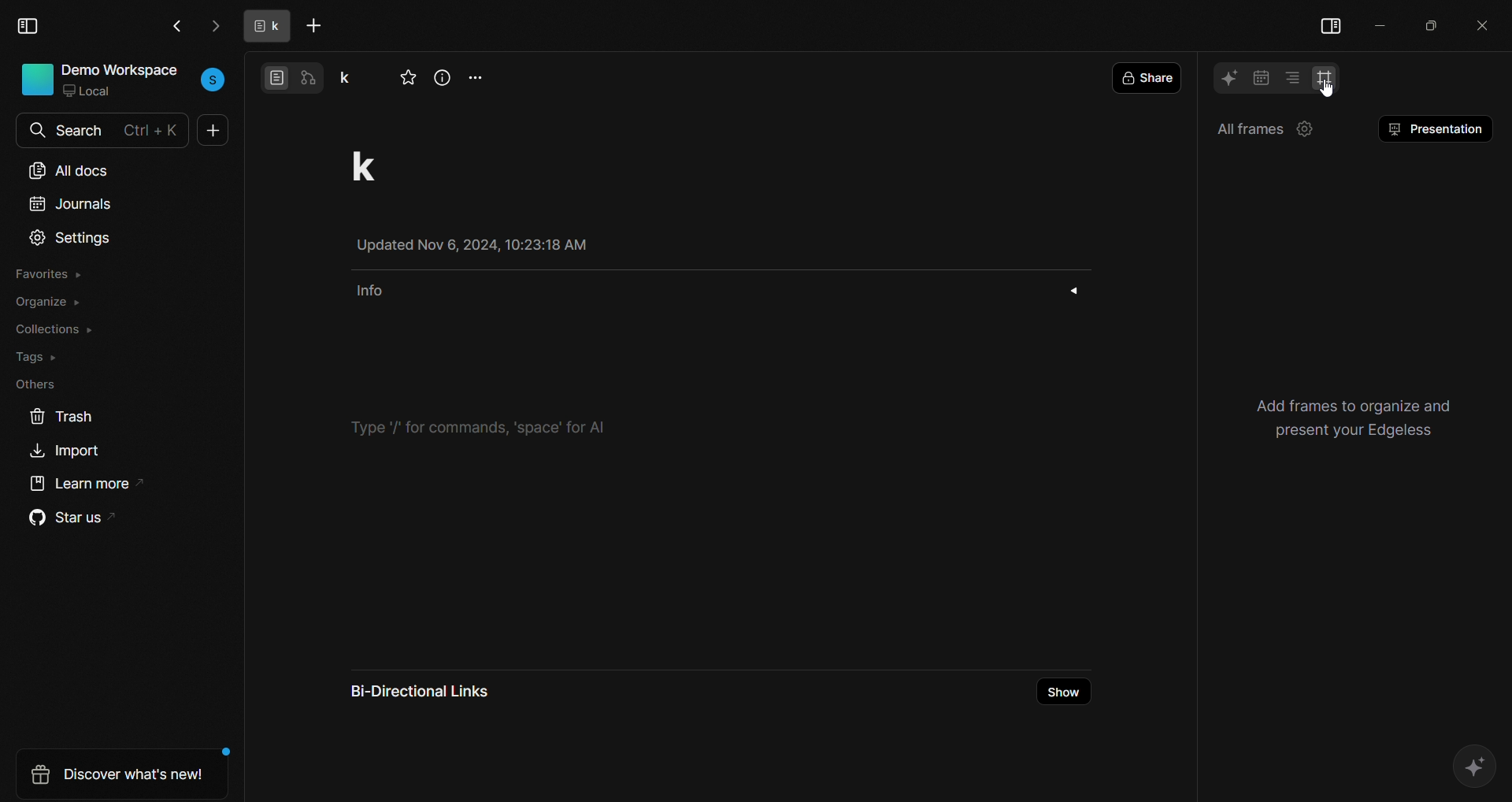 The height and width of the screenshot is (802, 1512). What do you see at coordinates (122, 70) in the screenshot?
I see `demo workspace` at bounding box center [122, 70].